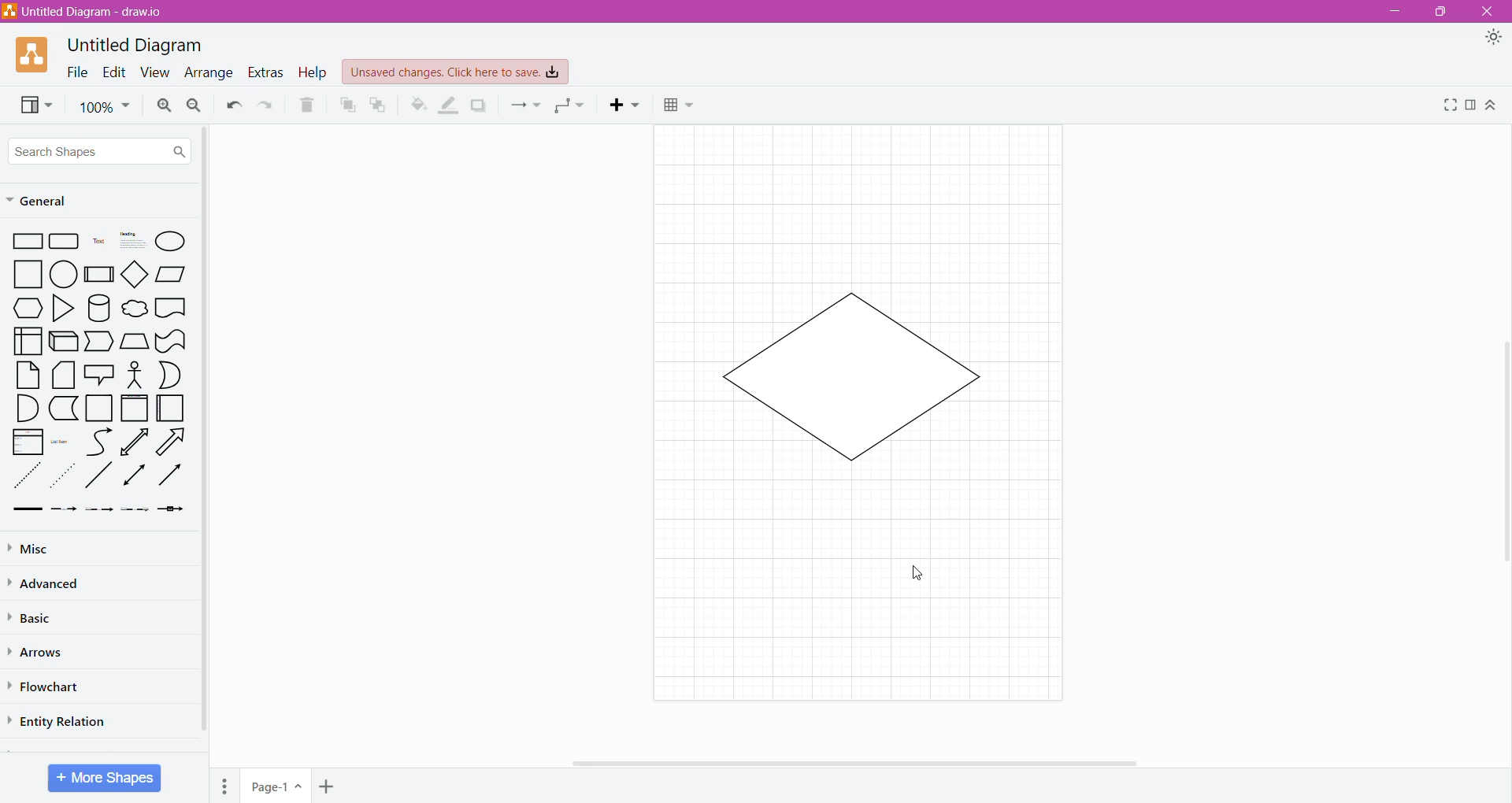  What do you see at coordinates (265, 105) in the screenshot?
I see `Redo` at bounding box center [265, 105].